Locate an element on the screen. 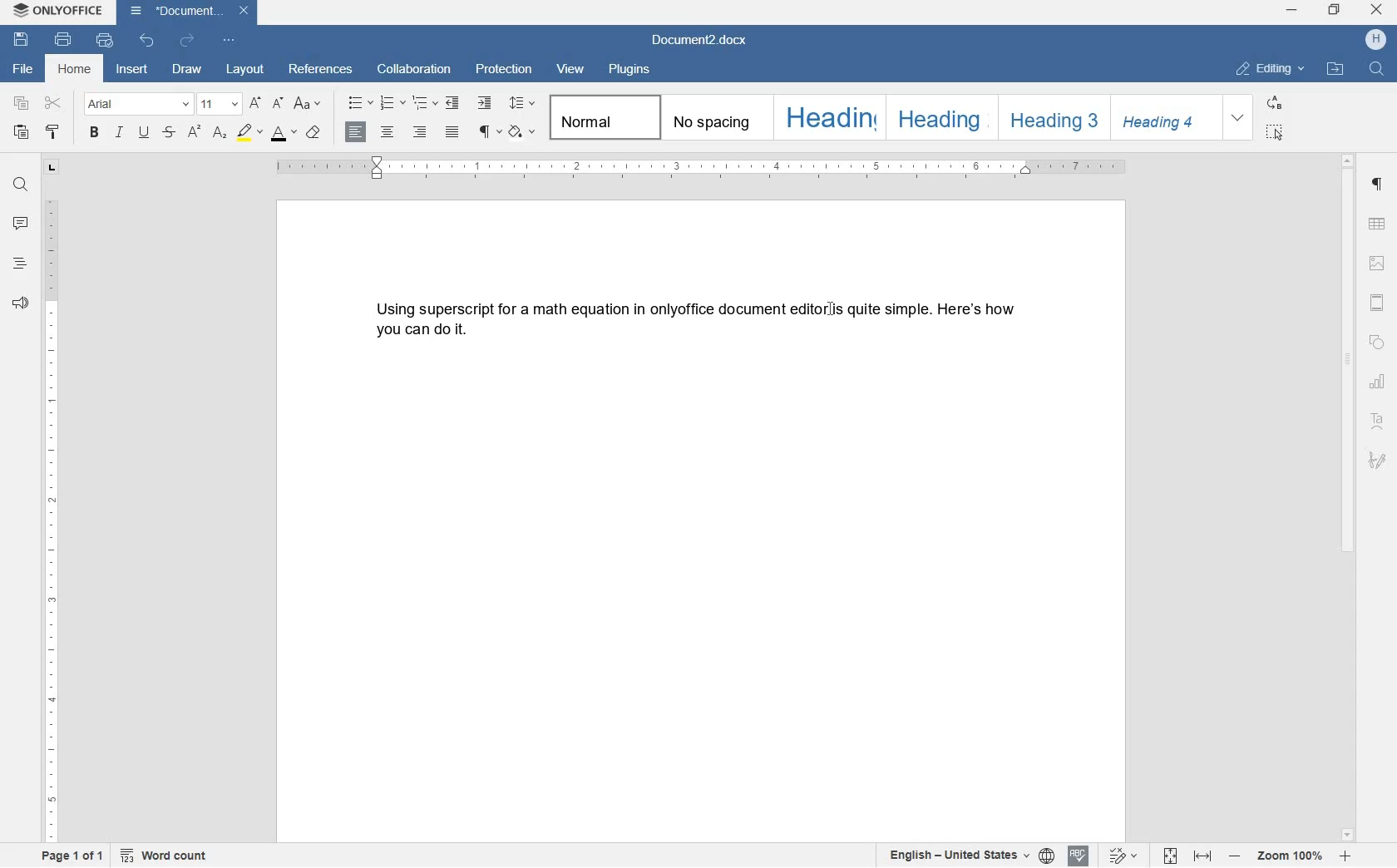 The width and height of the screenshot is (1397, 868). font size is located at coordinates (219, 103).